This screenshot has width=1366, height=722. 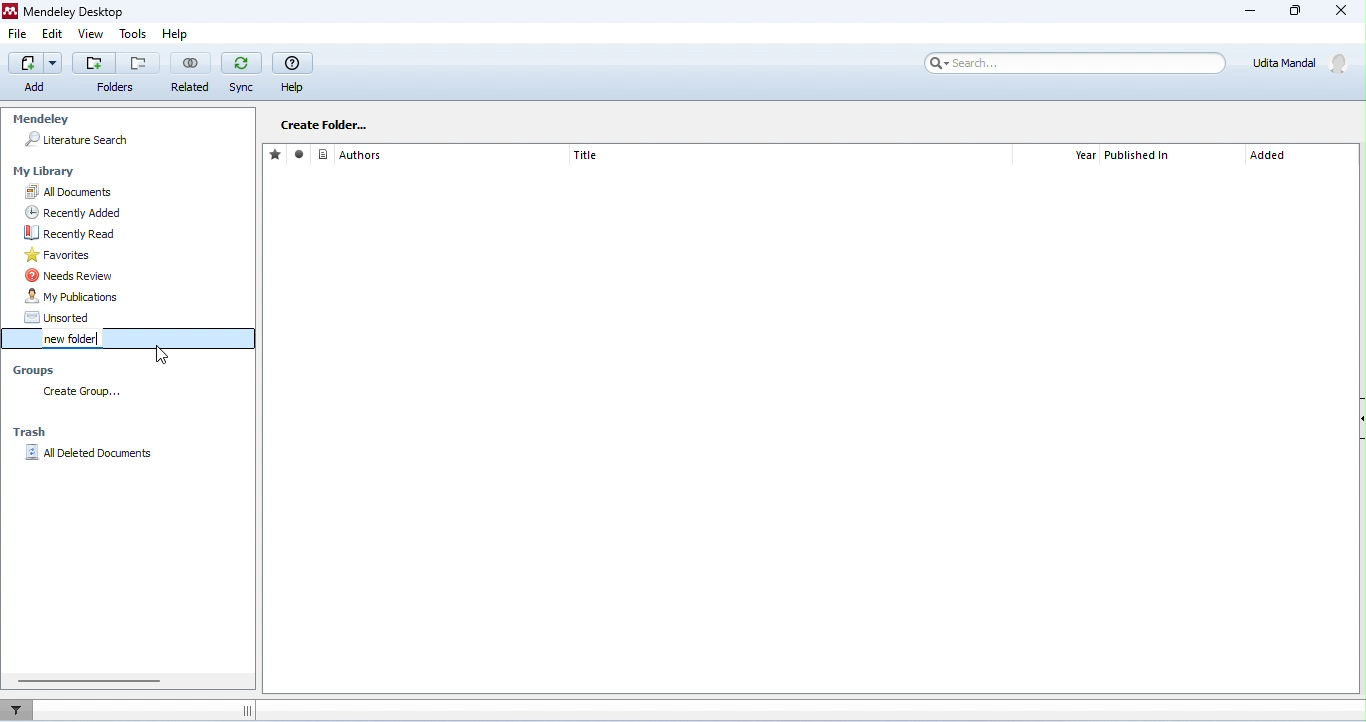 I want to click on help, so click(x=183, y=35).